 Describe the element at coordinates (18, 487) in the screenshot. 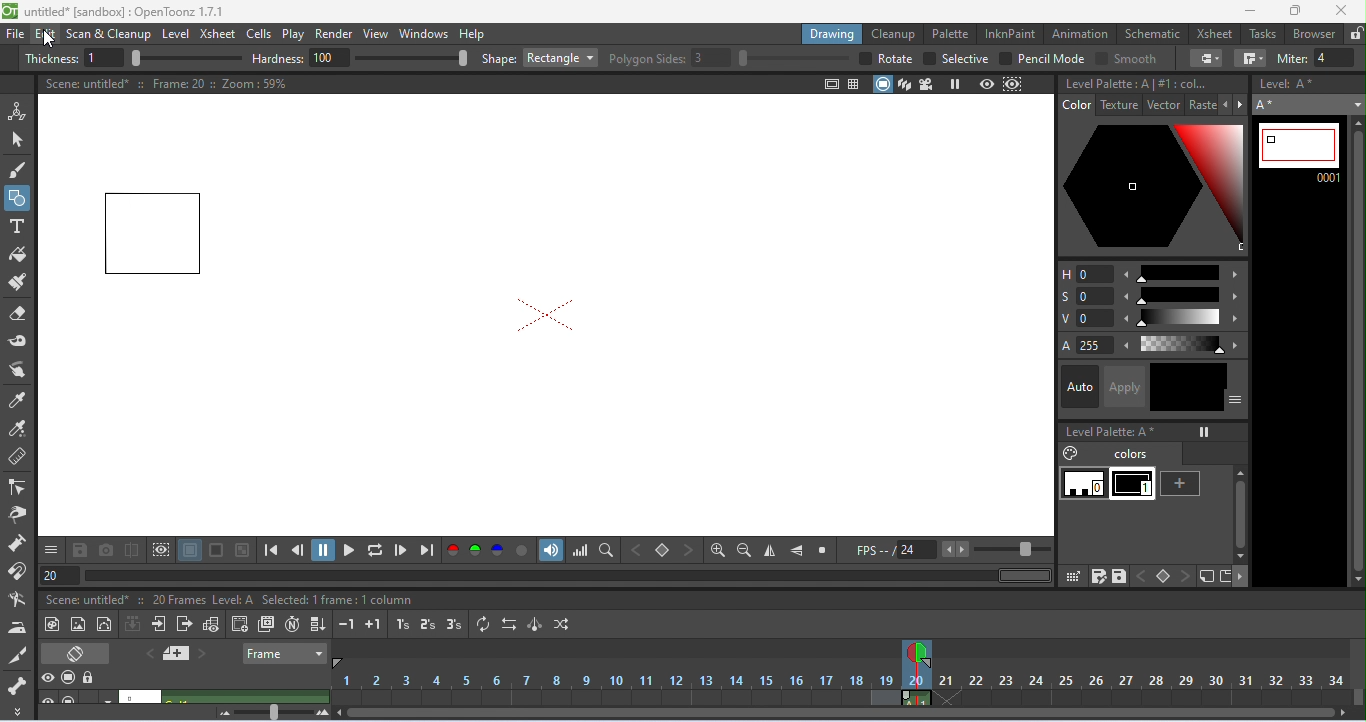

I see `control point editor tool` at that location.